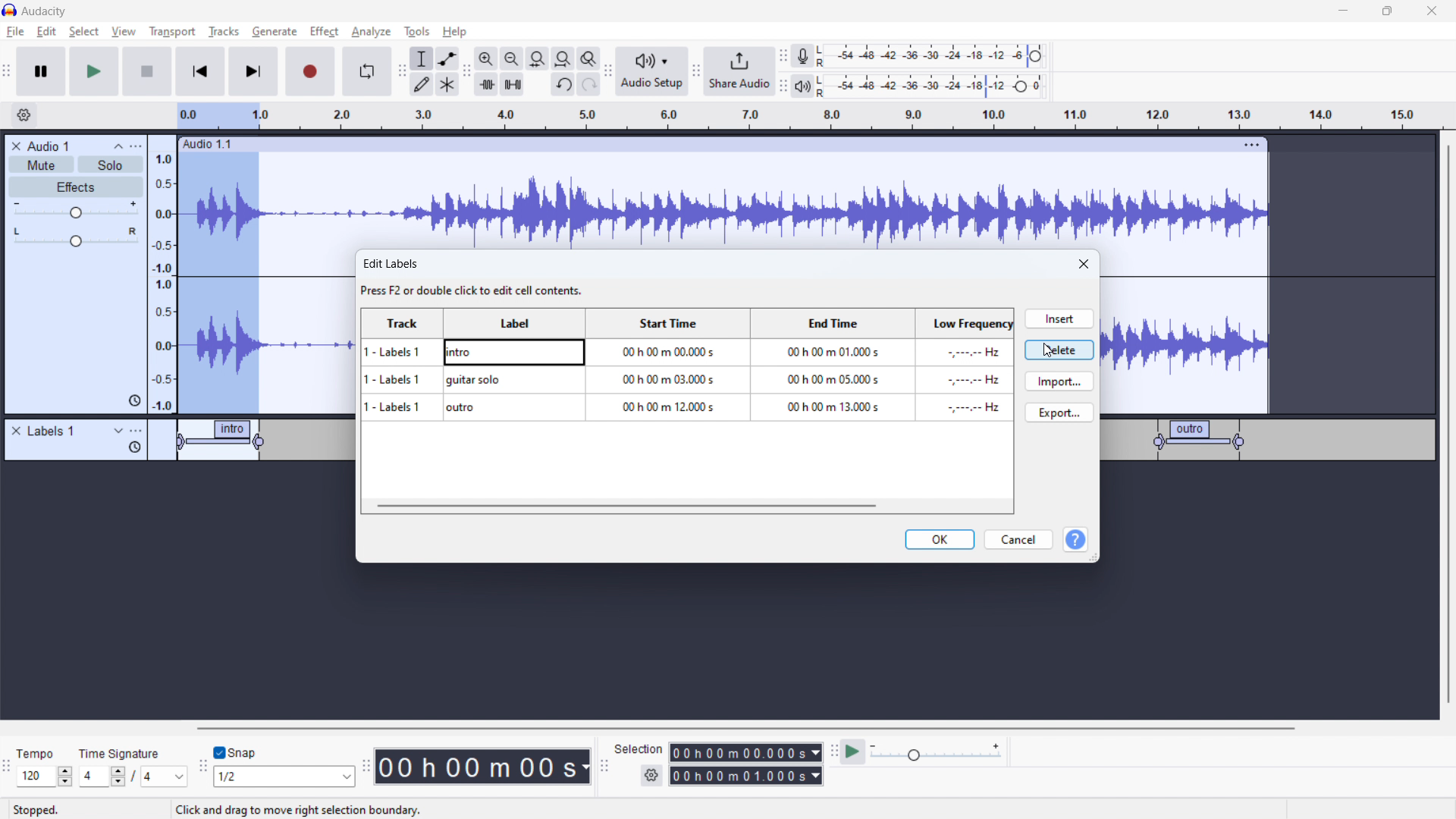  I want to click on end time, so click(829, 365).